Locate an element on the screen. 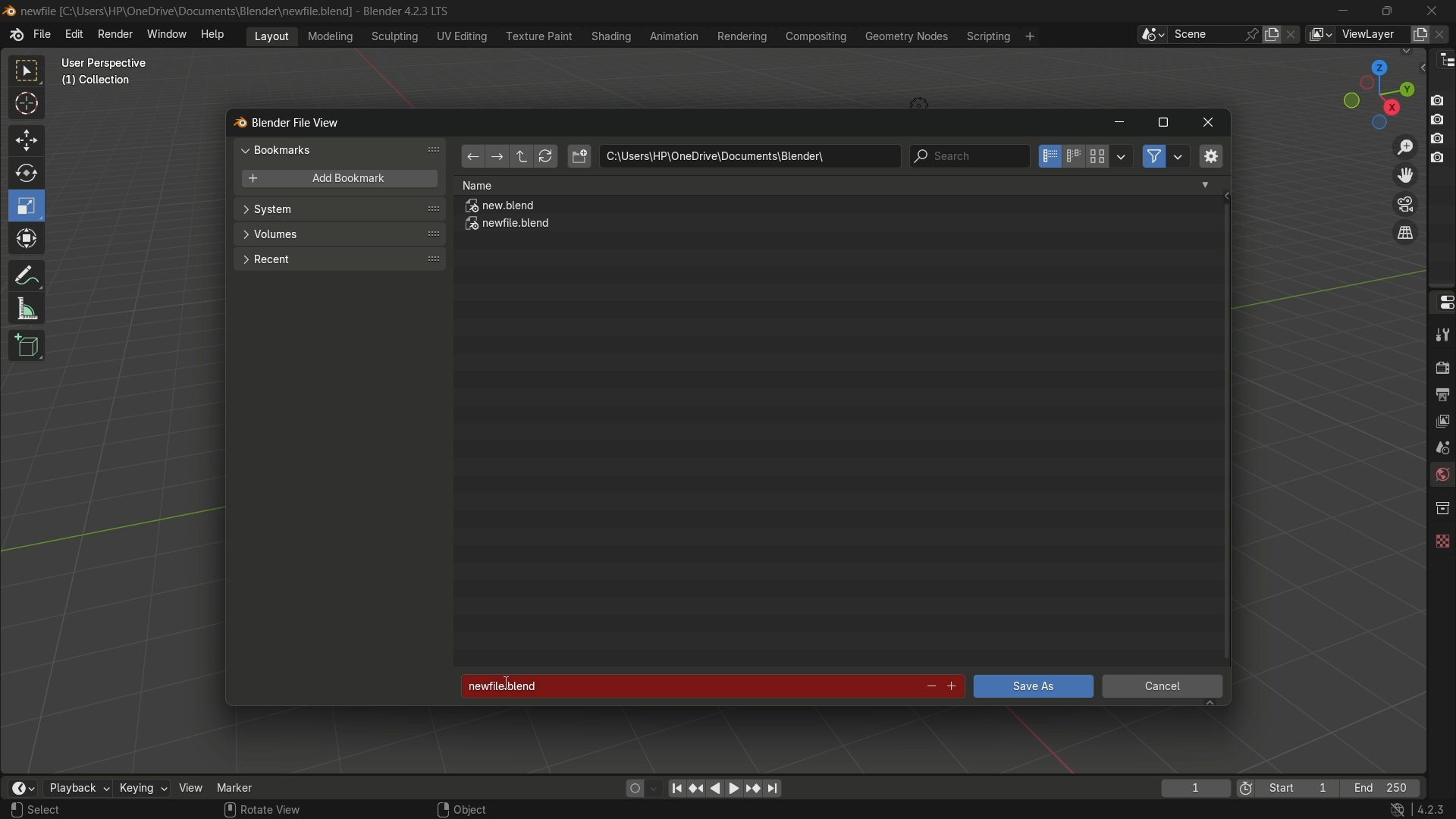 The image size is (1456, 819). parent directory is located at coordinates (523, 156).